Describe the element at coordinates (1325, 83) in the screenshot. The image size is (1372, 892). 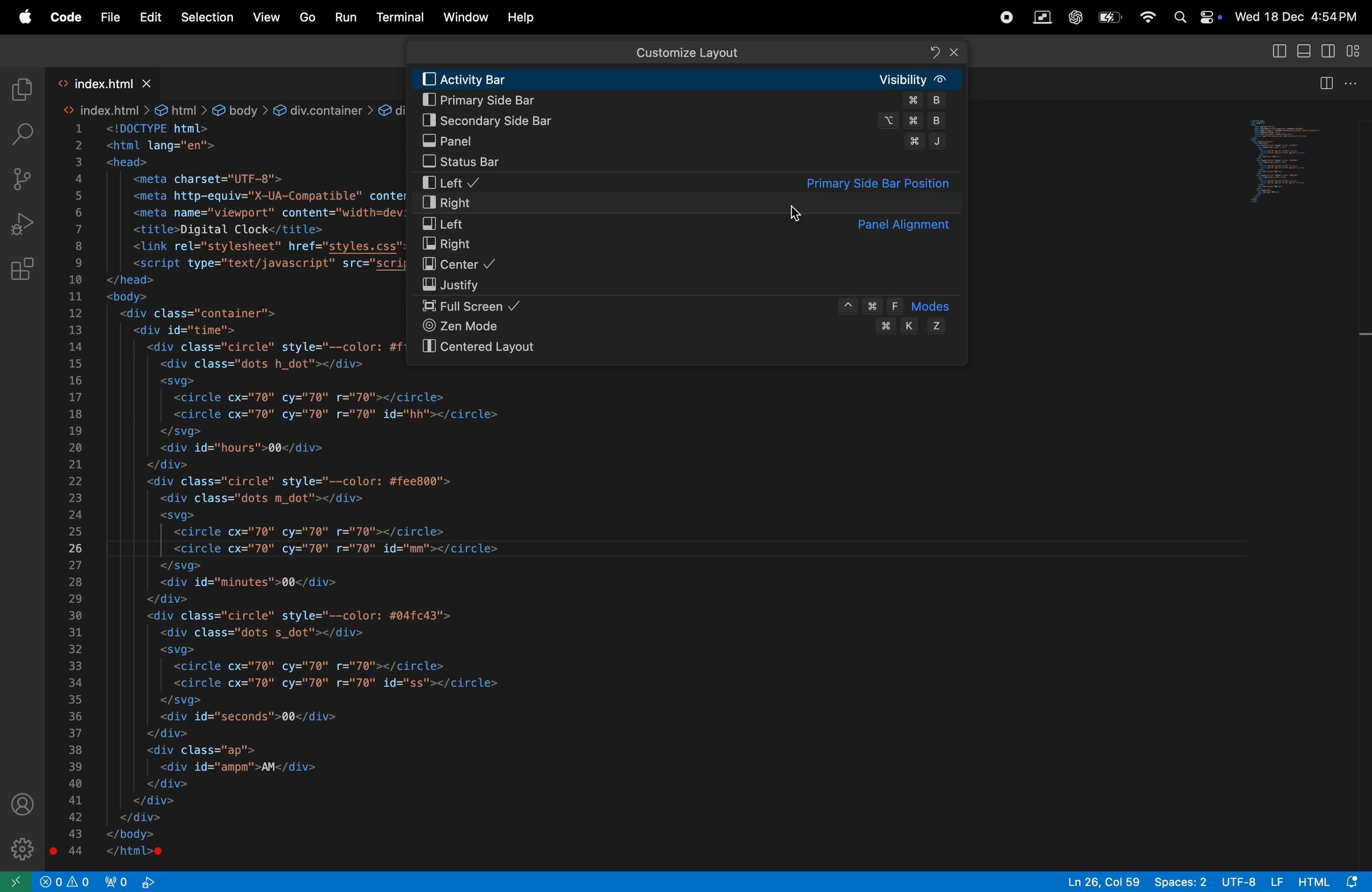
I see `split editor` at that location.